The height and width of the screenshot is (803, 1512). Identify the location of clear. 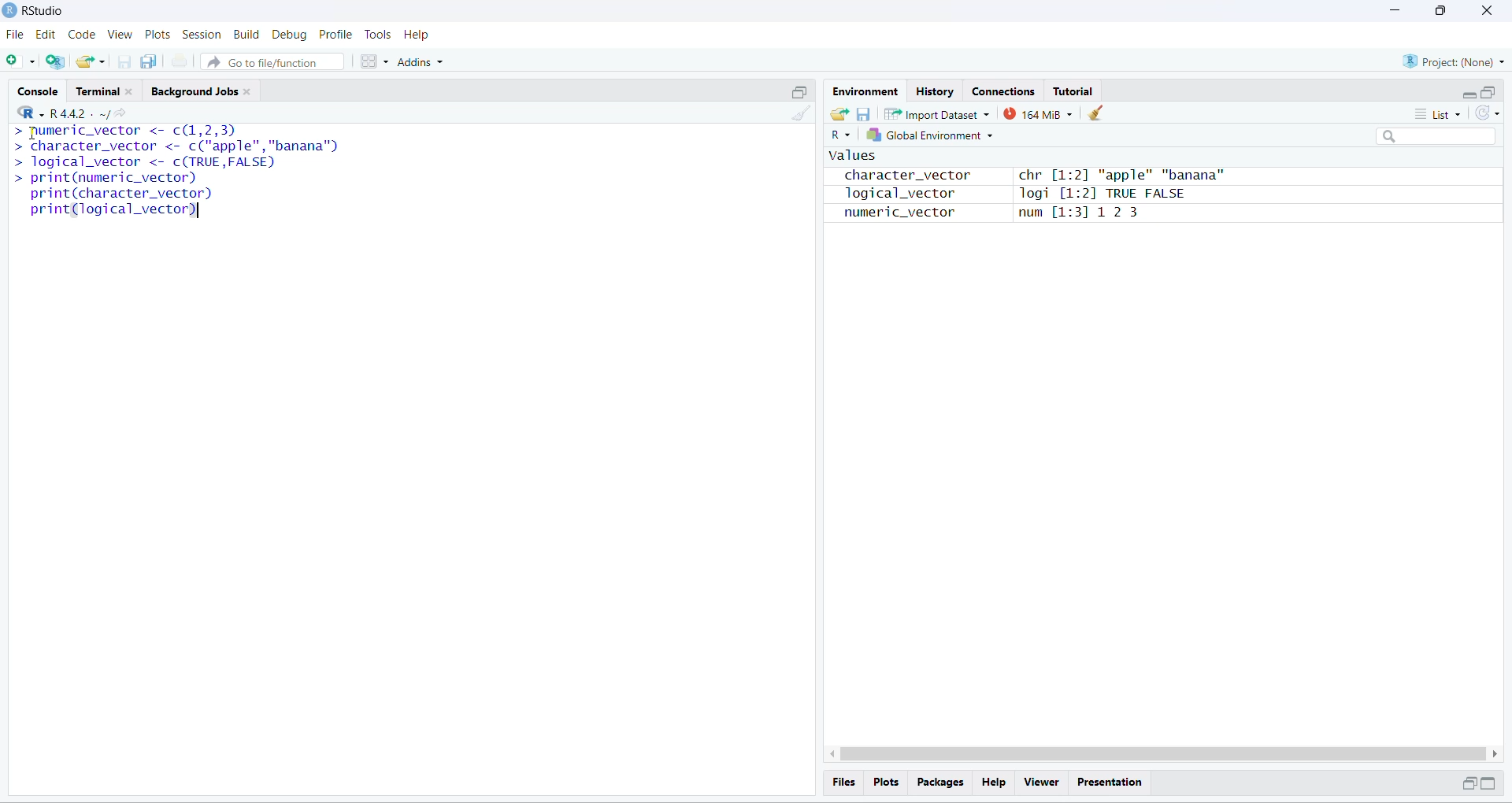
(1098, 113).